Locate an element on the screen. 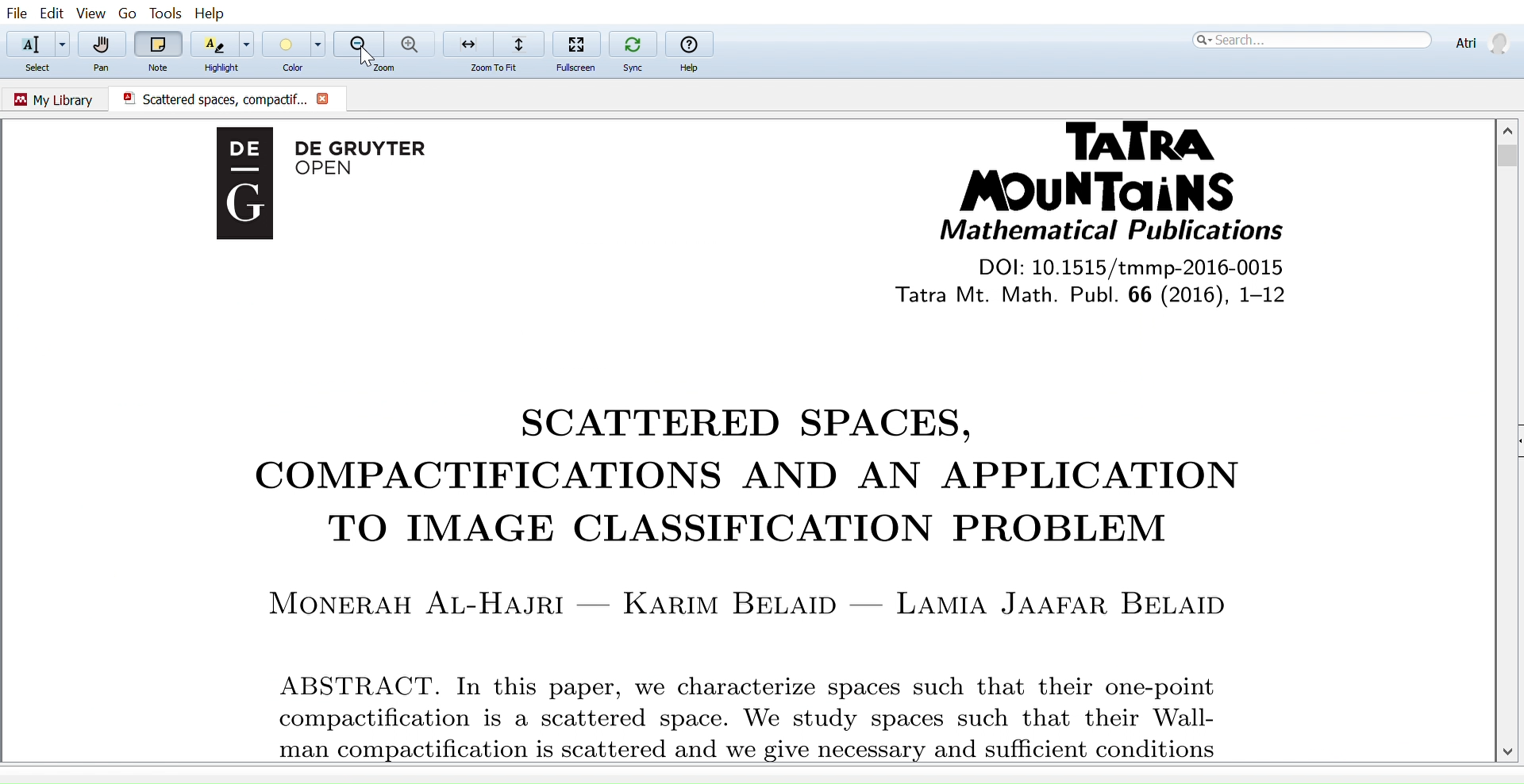  Pan is located at coordinates (104, 44).